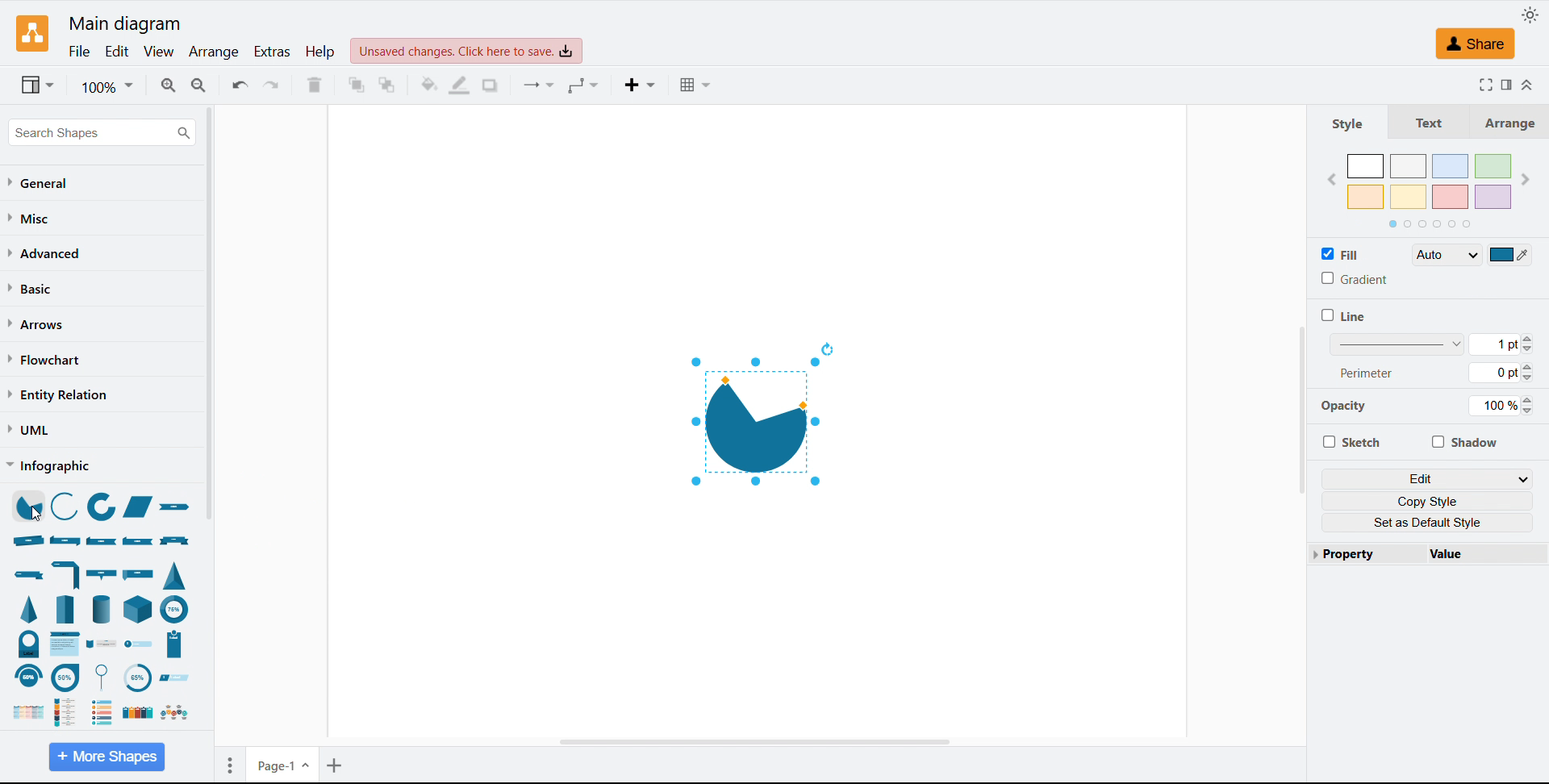 The image size is (1549, 784). Describe the element at coordinates (28, 678) in the screenshot. I see `bending arch` at that location.